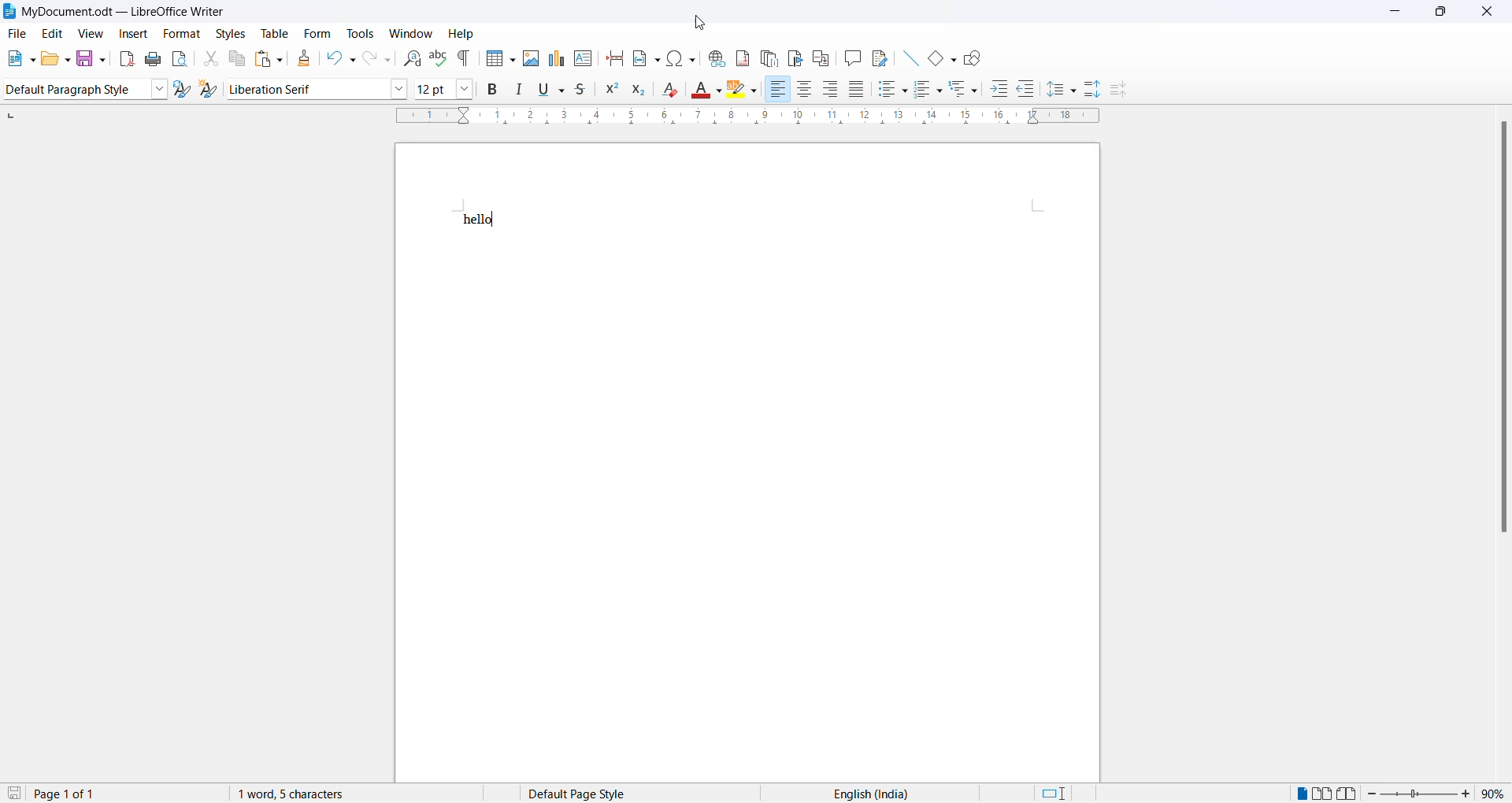 The image size is (1512, 803). Describe the element at coordinates (741, 90) in the screenshot. I see `Highlight colour options` at that location.